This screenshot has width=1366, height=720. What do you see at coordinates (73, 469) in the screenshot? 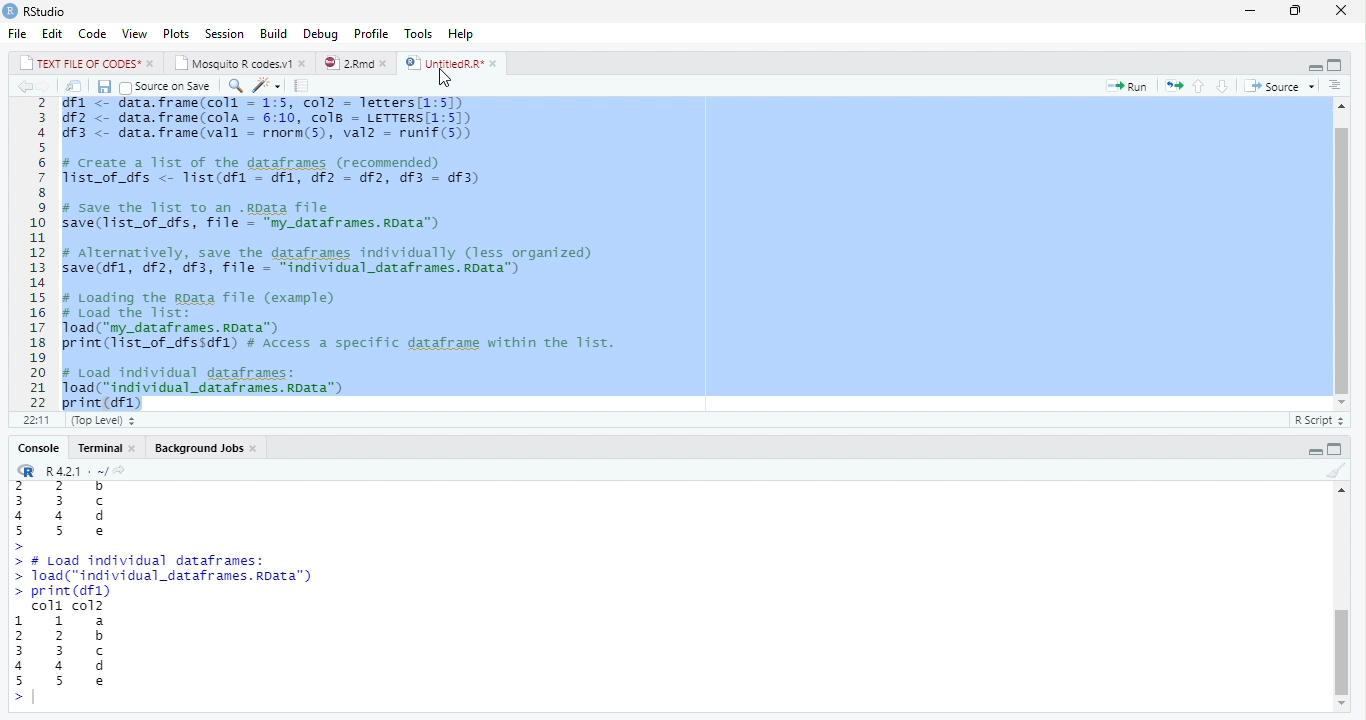
I see `R 4.2.1 - ~/` at bounding box center [73, 469].